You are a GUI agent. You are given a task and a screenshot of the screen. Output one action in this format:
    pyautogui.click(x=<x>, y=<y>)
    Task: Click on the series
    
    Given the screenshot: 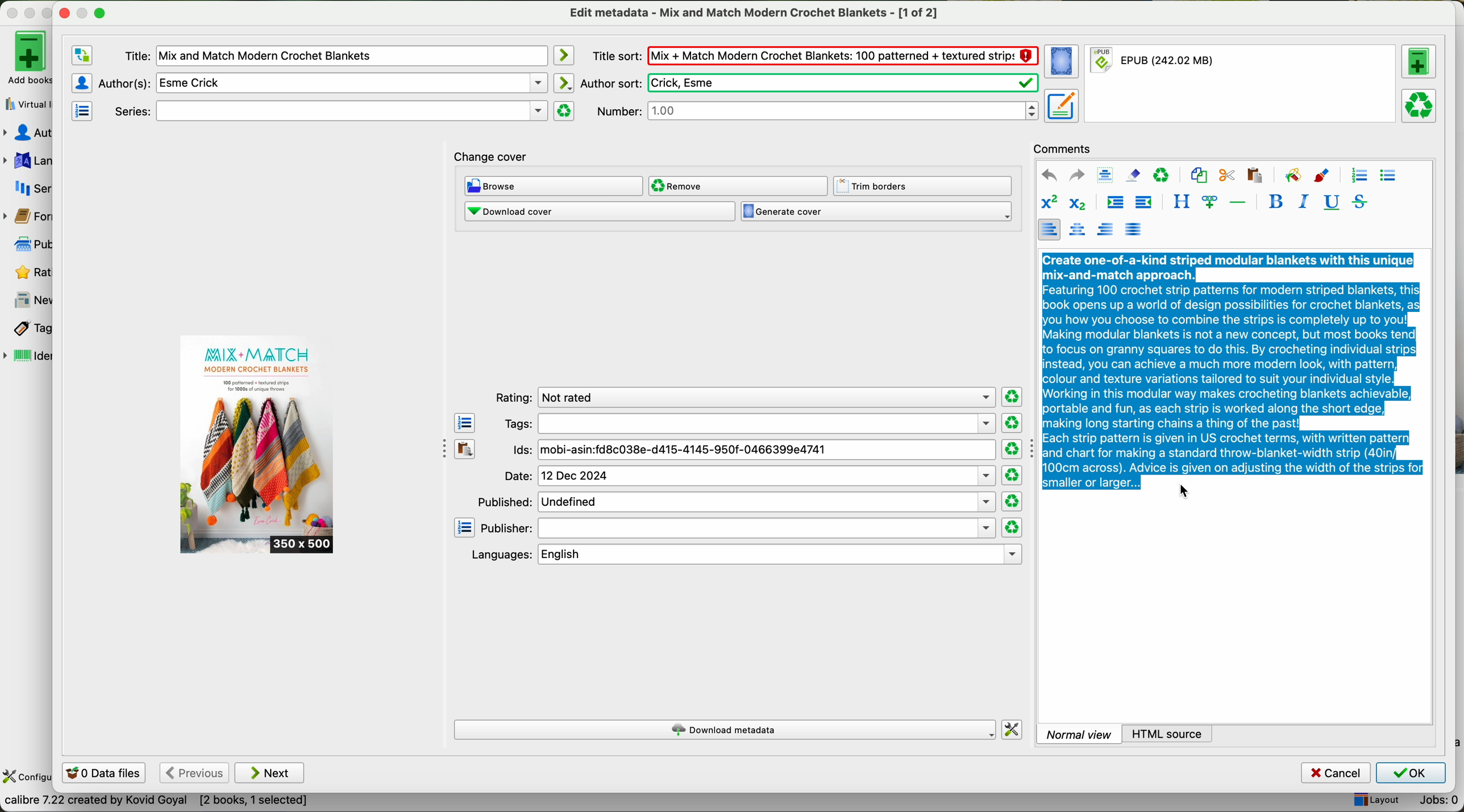 What is the action you would take?
    pyautogui.click(x=328, y=111)
    